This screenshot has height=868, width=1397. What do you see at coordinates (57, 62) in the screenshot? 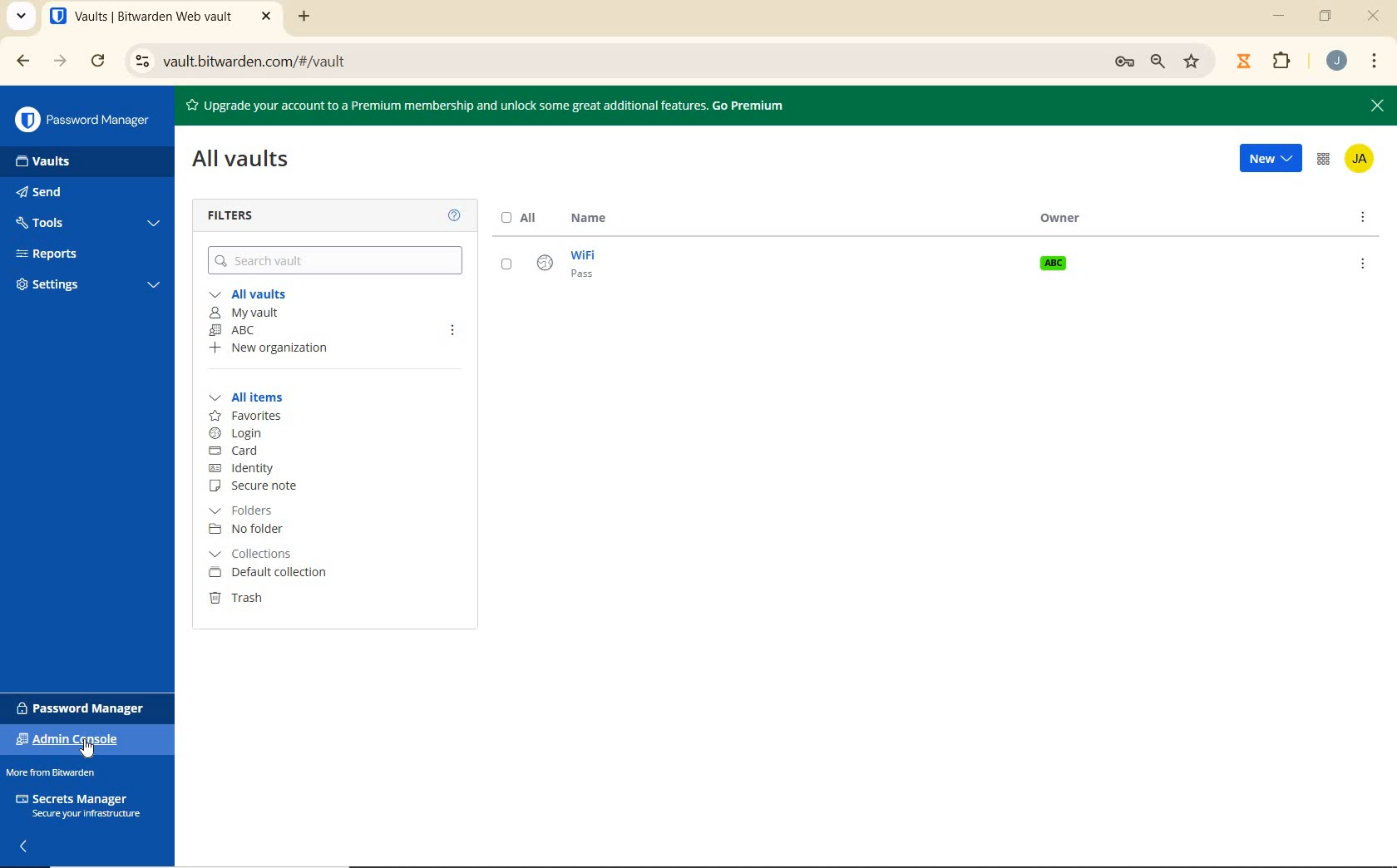
I see `FORWARD` at bounding box center [57, 62].